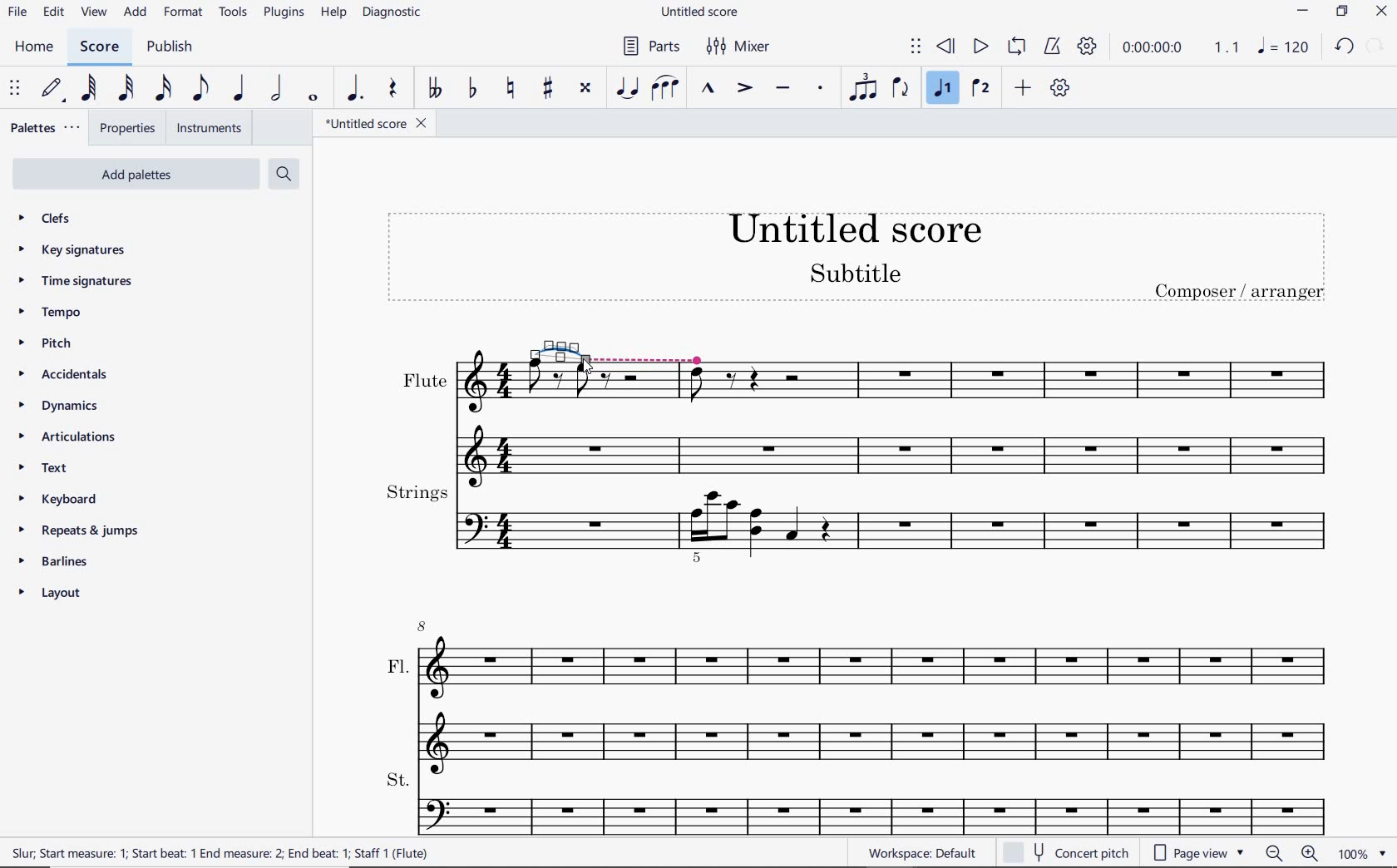 This screenshot has width=1397, height=868. What do you see at coordinates (617, 348) in the screenshot?
I see `TIE LENGTH ADJUSTMENT` at bounding box center [617, 348].